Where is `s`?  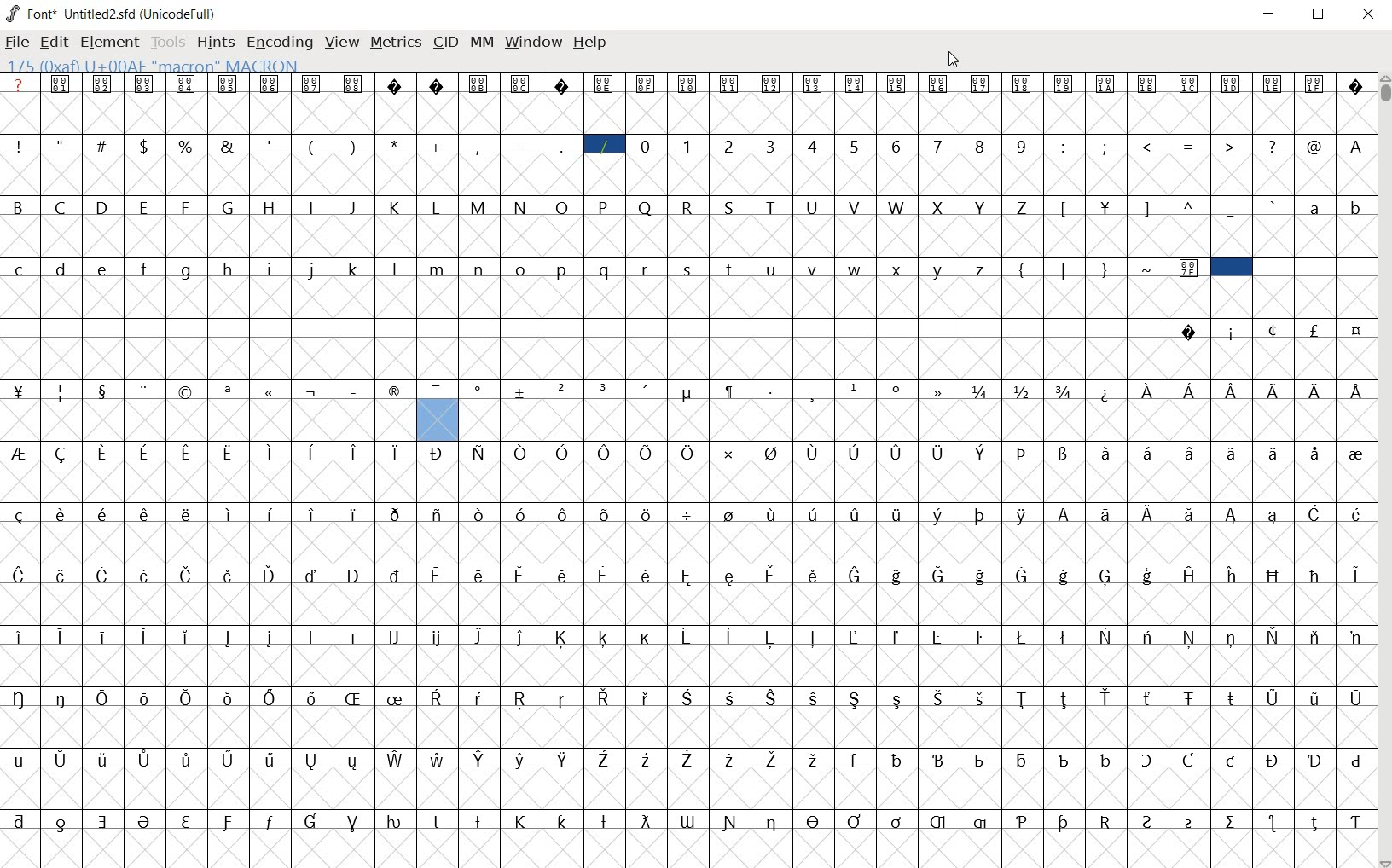
s is located at coordinates (688, 268).